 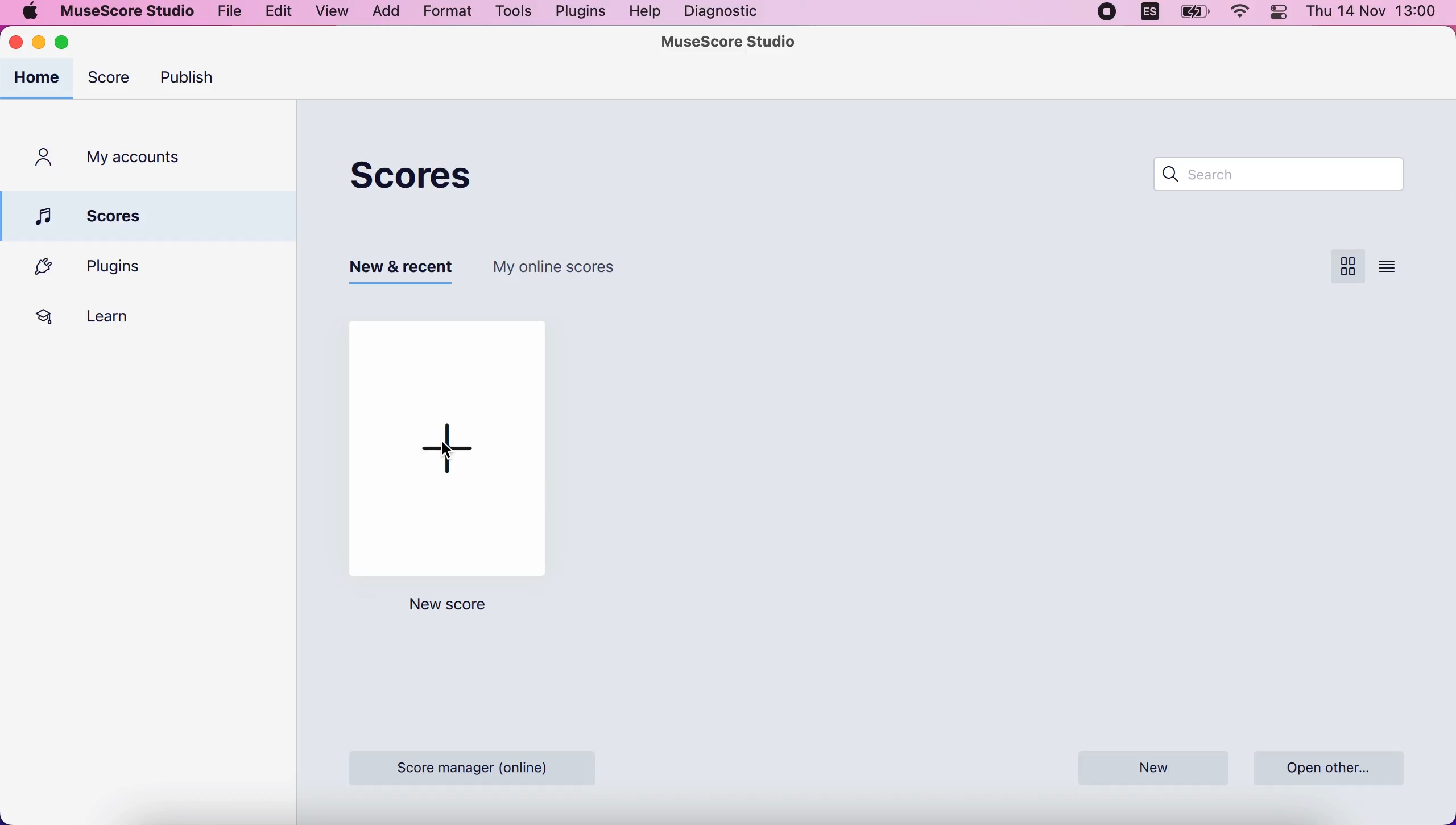 I want to click on scores, so click(x=419, y=175).